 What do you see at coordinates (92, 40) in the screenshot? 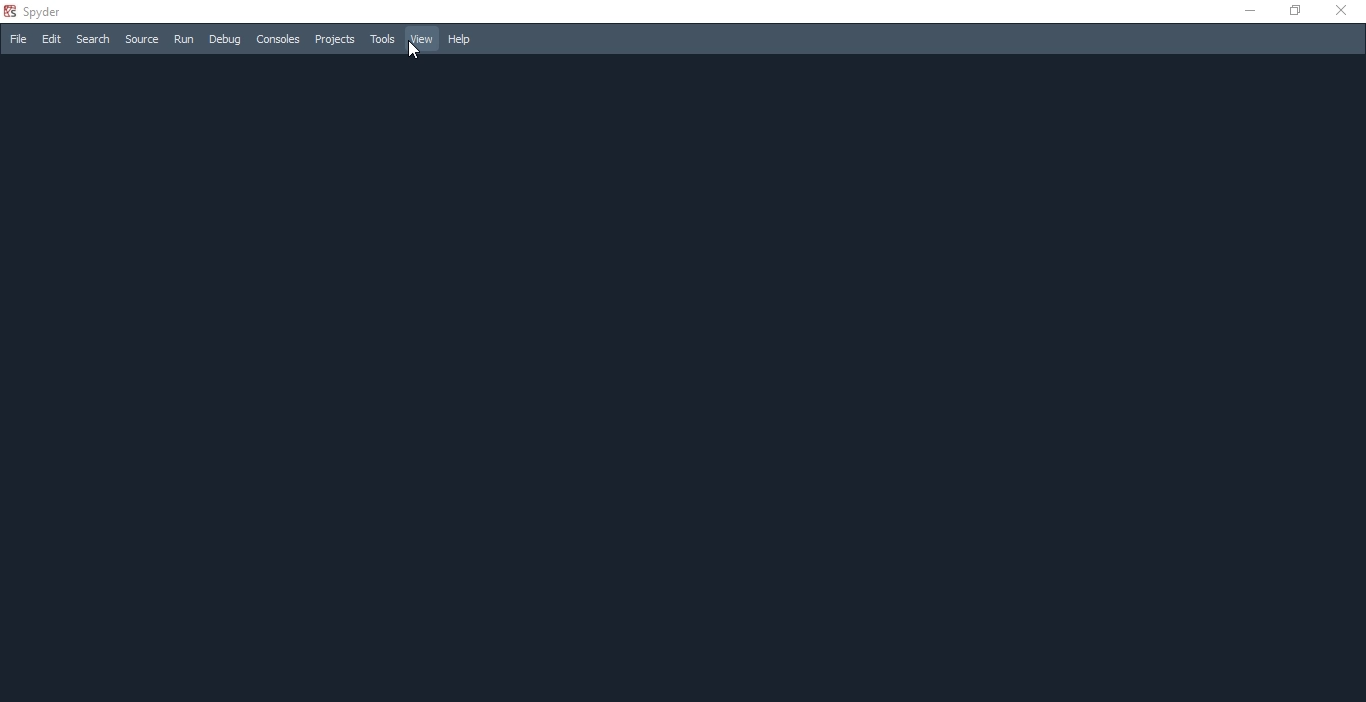
I see `Search` at bounding box center [92, 40].